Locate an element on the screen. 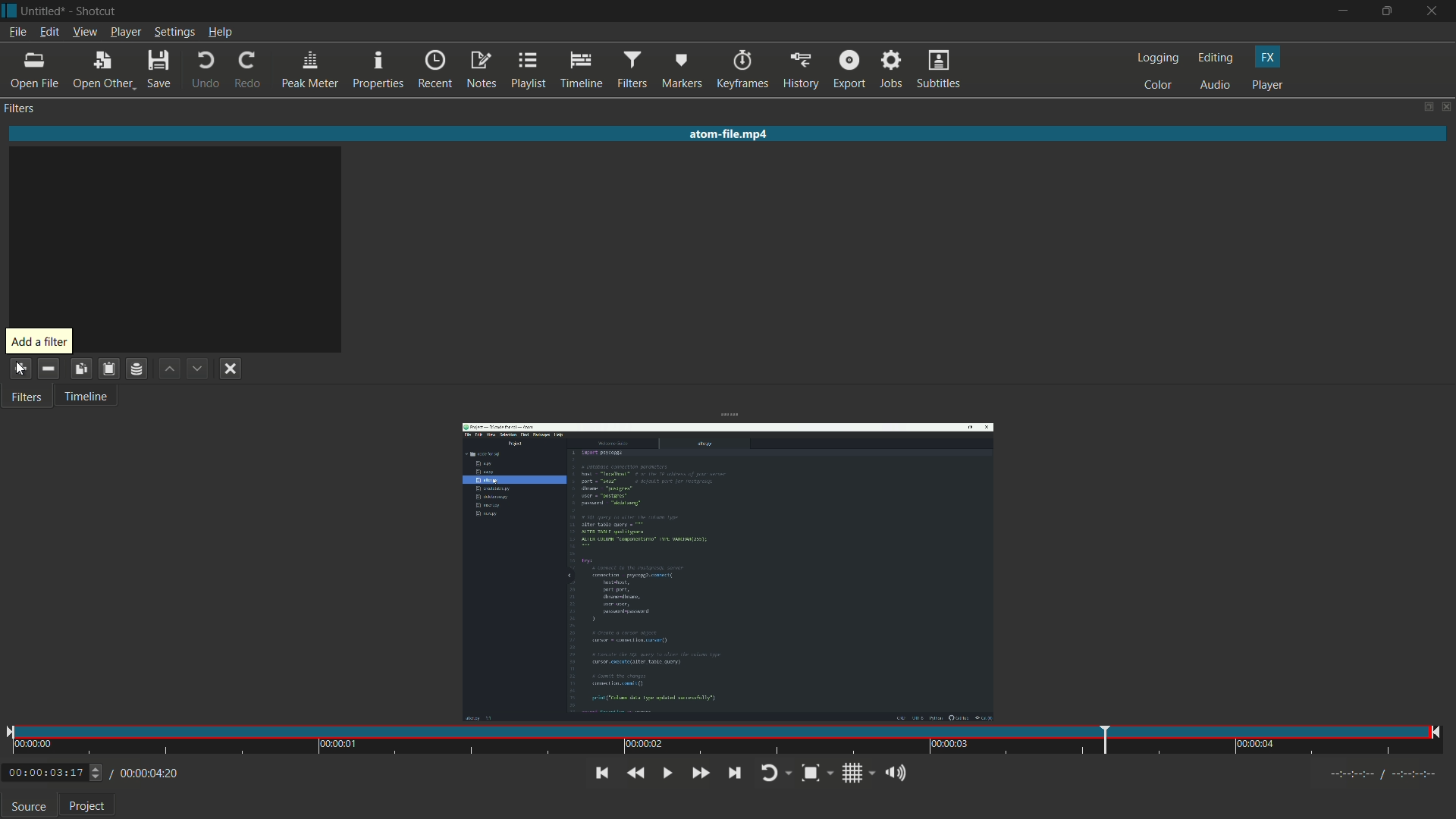  save is located at coordinates (158, 70).